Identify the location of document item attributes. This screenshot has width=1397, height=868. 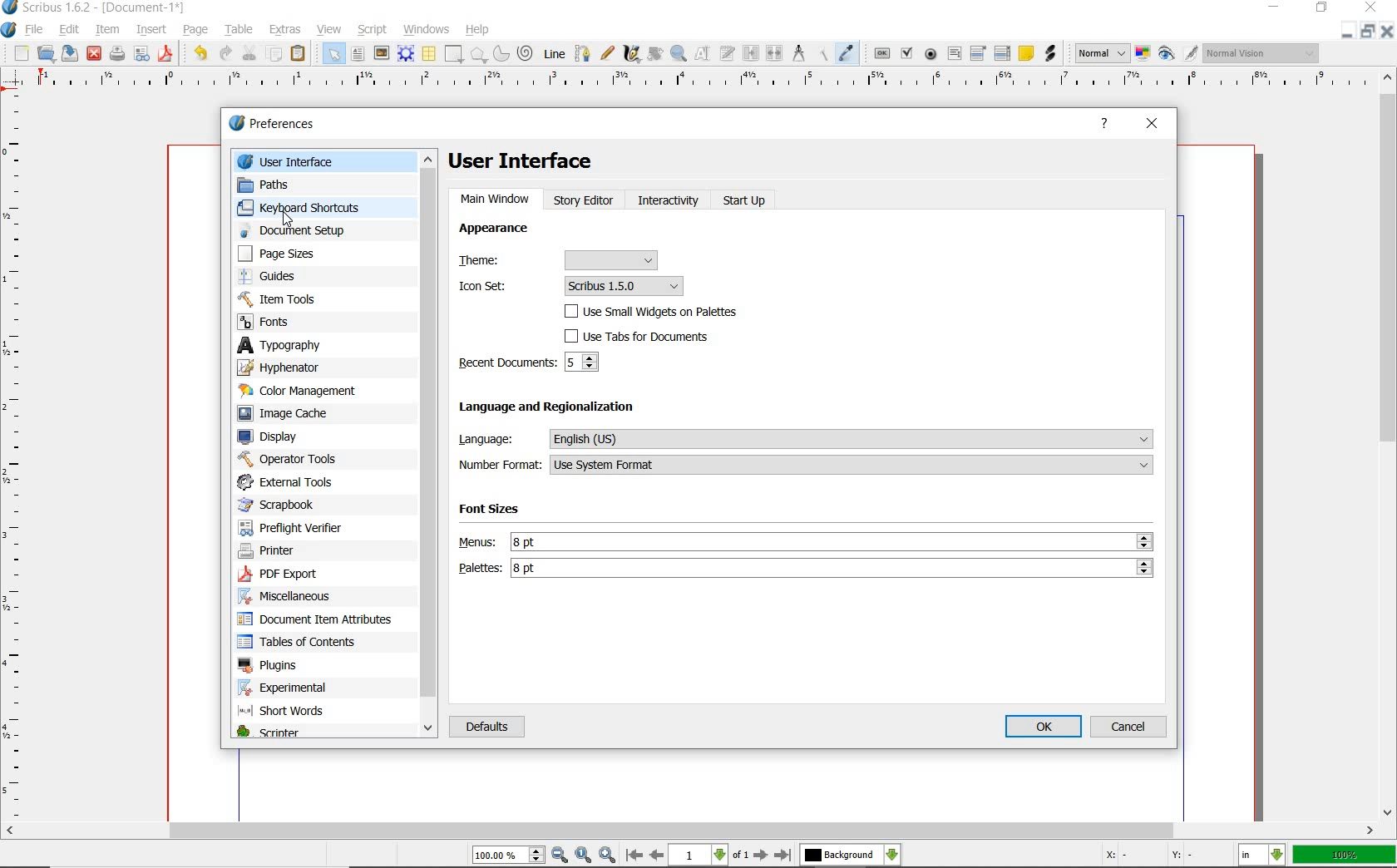
(320, 620).